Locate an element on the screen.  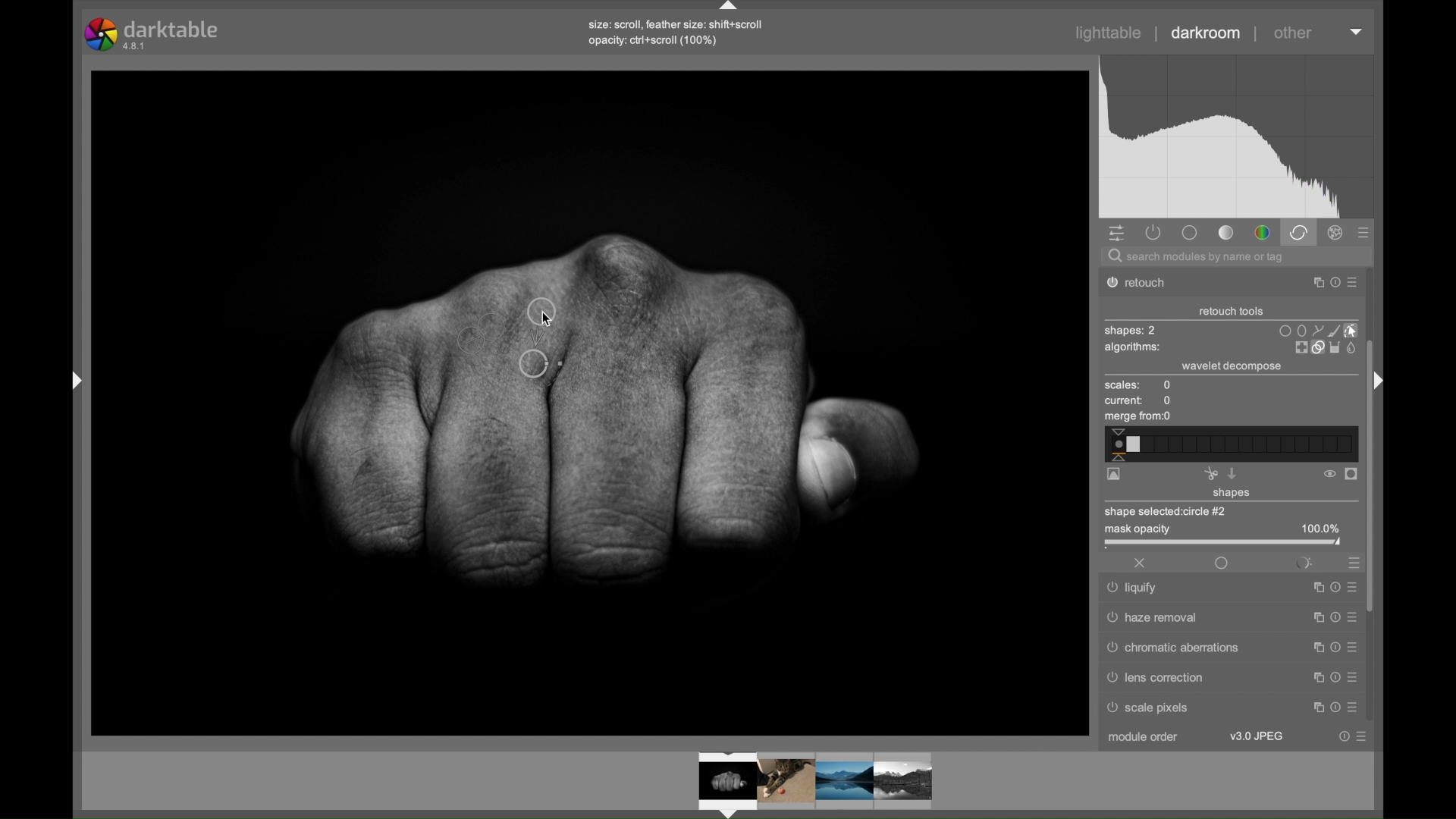
wavelet decompose is located at coordinates (1232, 366).